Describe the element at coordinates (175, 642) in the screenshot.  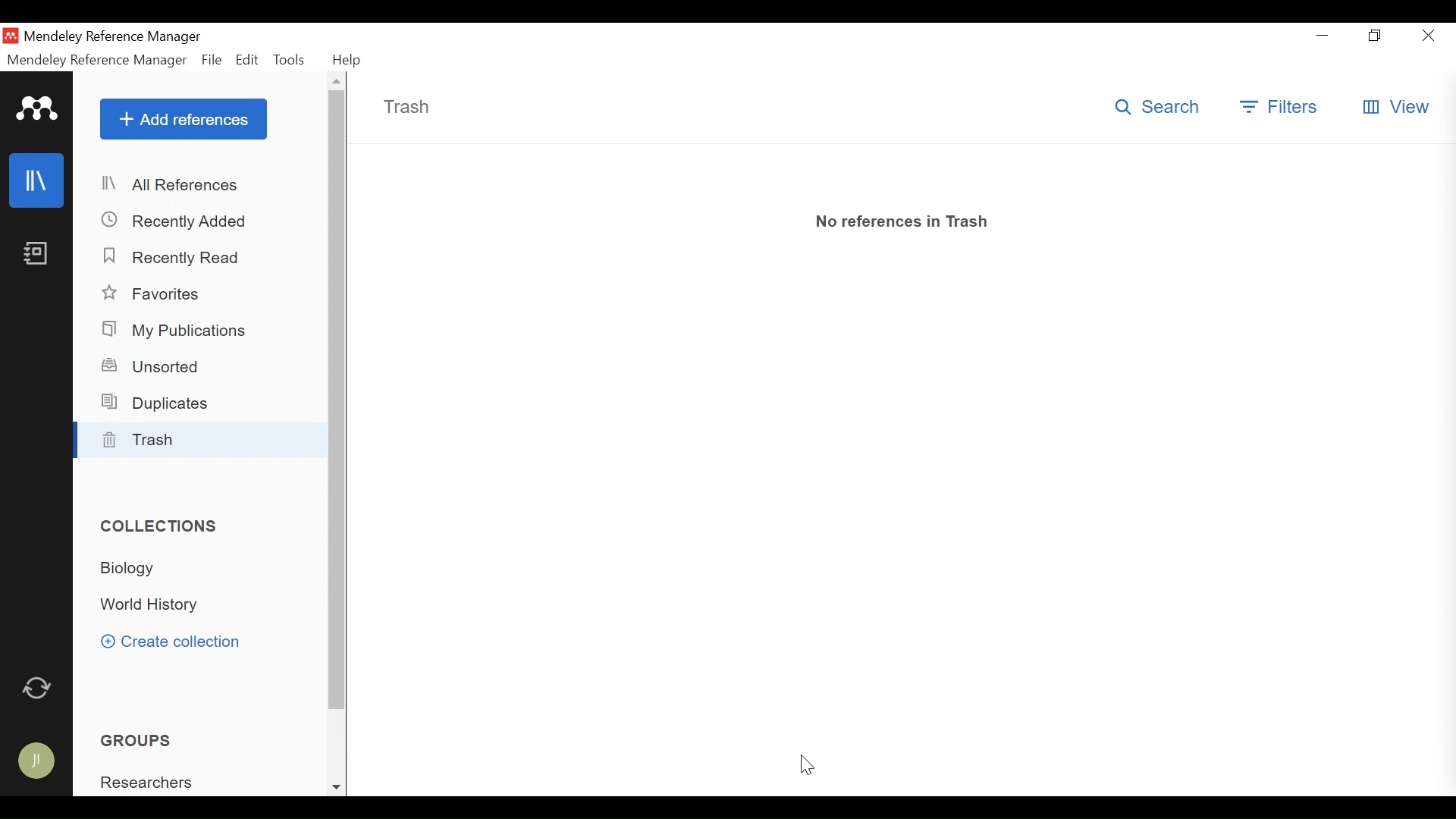
I see `Create Collection` at that location.